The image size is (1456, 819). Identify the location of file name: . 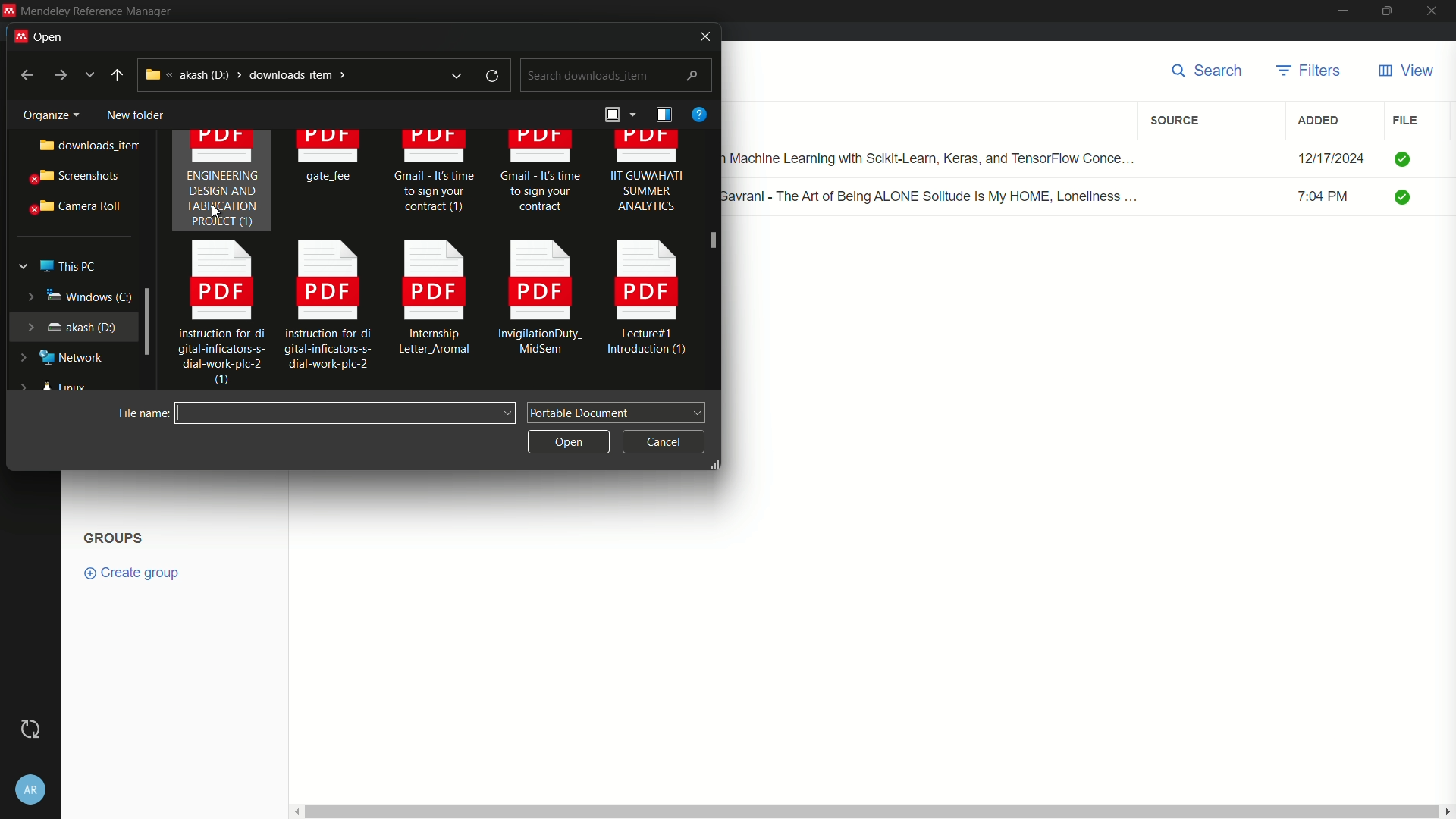
(347, 413).